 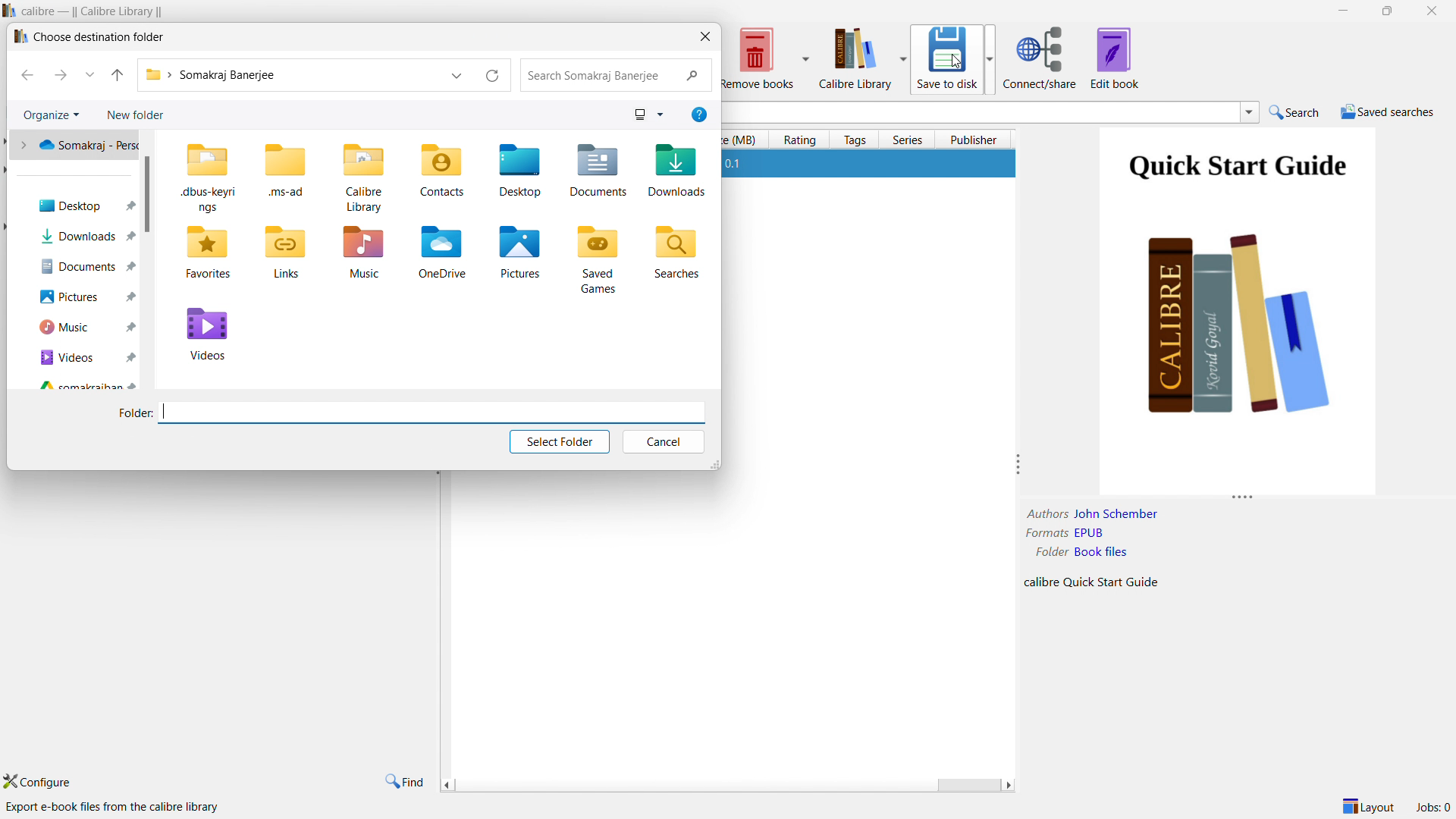 What do you see at coordinates (1042, 551) in the screenshot?
I see `Folder` at bounding box center [1042, 551].